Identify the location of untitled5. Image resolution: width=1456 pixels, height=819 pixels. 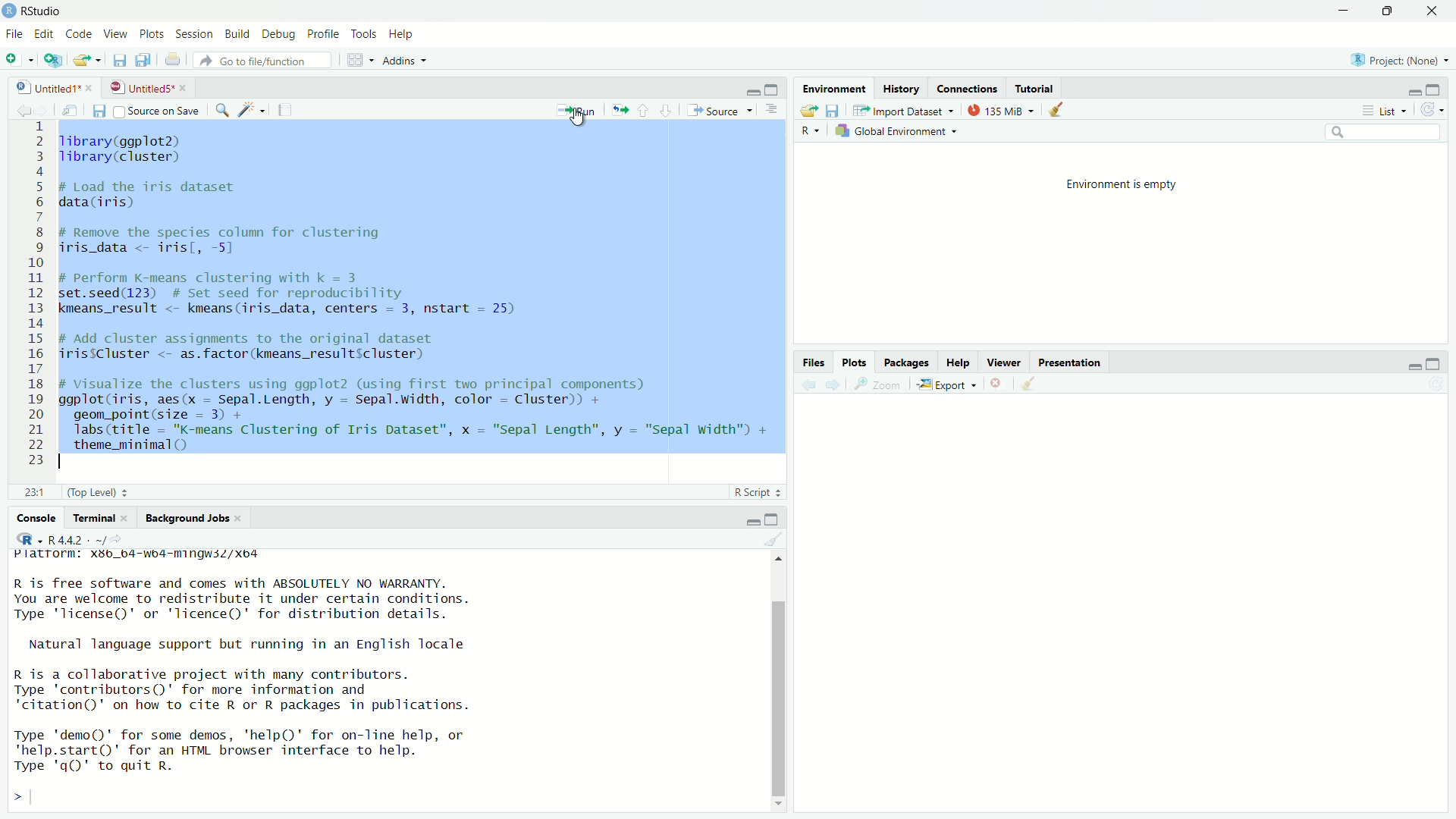
(139, 86).